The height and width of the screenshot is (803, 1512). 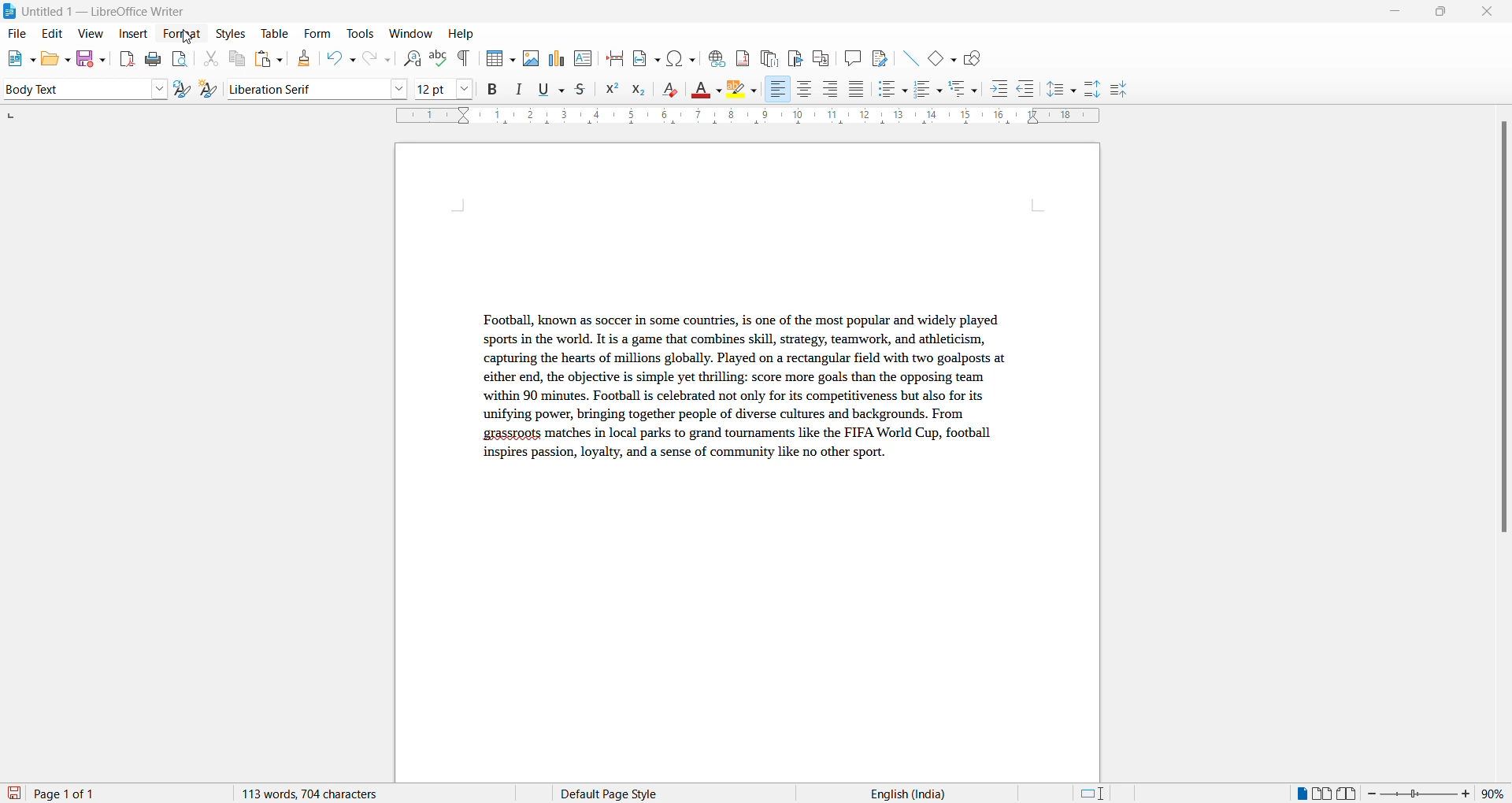 I want to click on maximize, so click(x=1440, y=13).